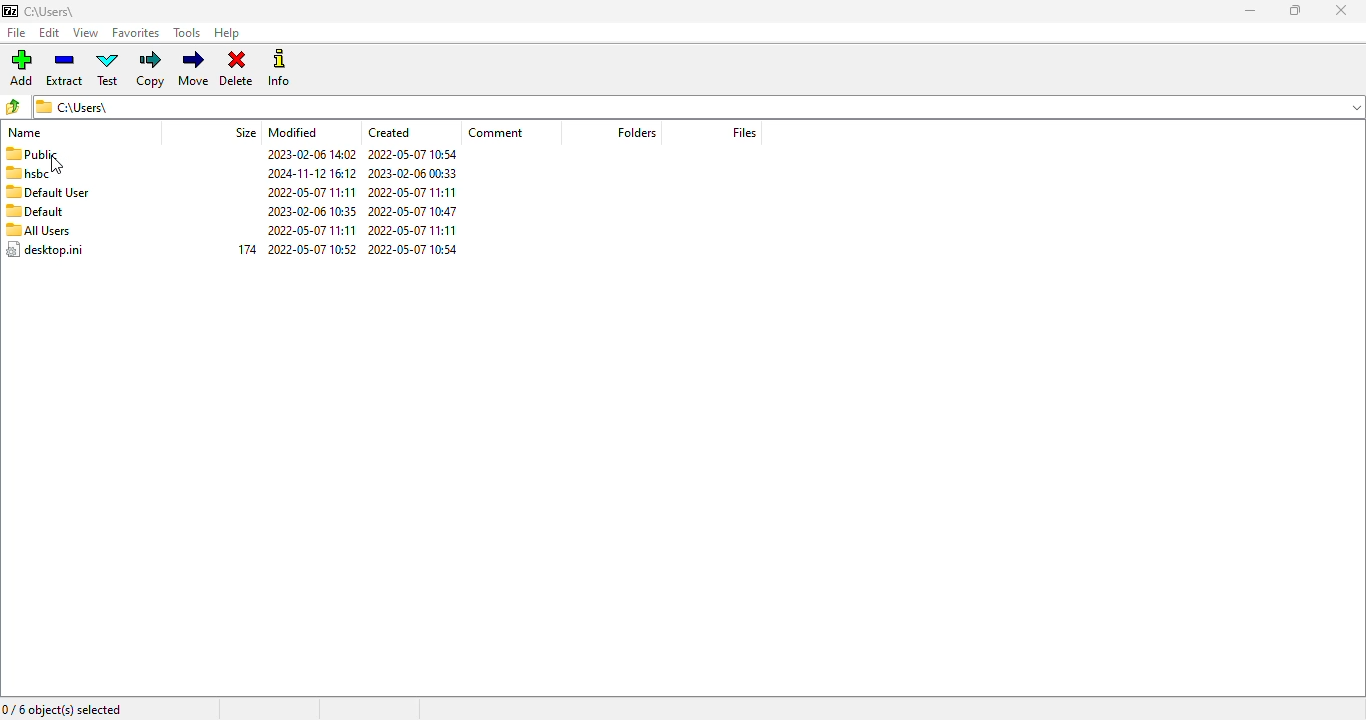  What do you see at coordinates (302, 173) in the screenshot?
I see `2024-11-12 16:12` at bounding box center [302, 173].